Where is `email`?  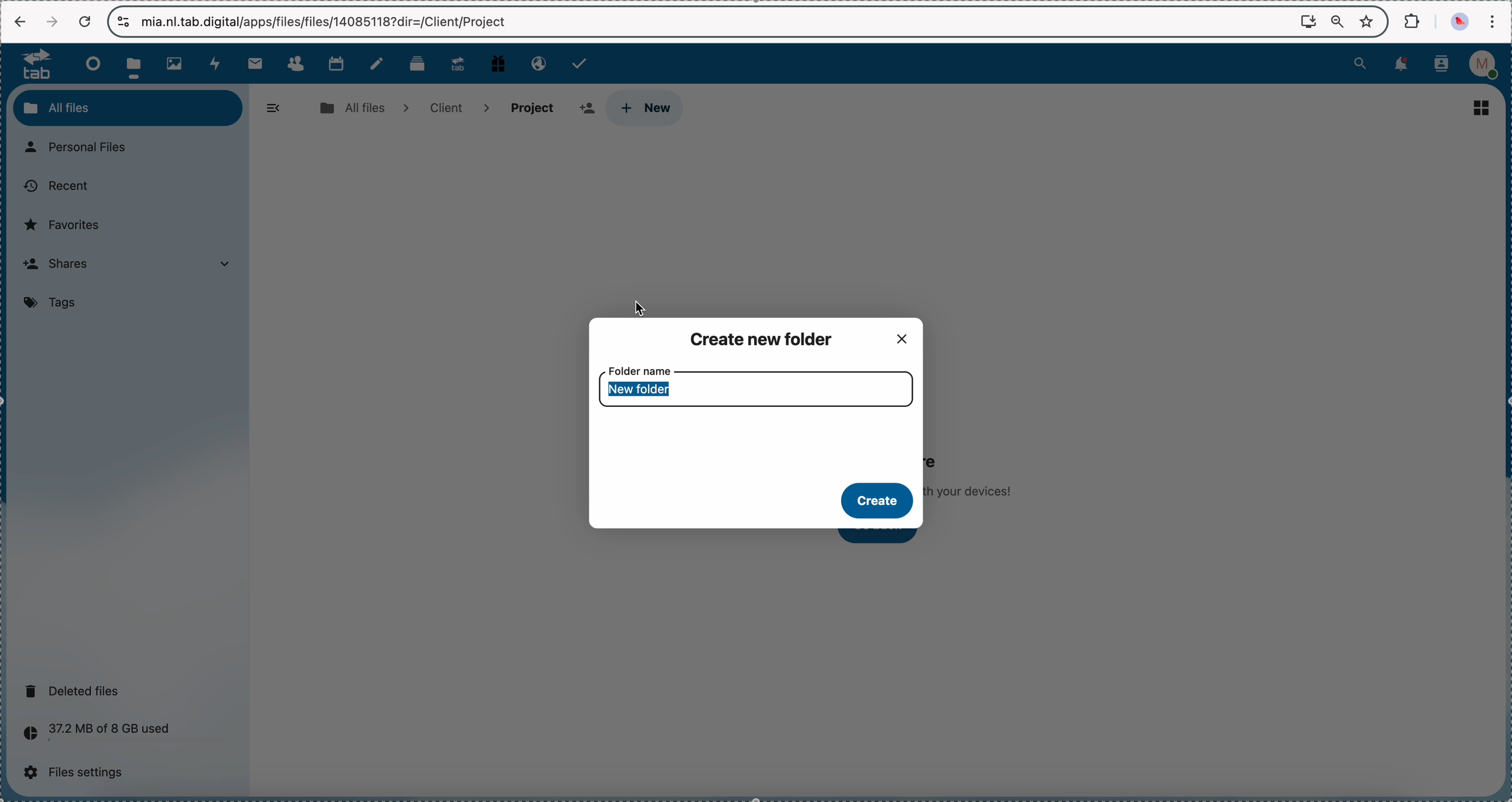
email is located at coordinates (536, 62).